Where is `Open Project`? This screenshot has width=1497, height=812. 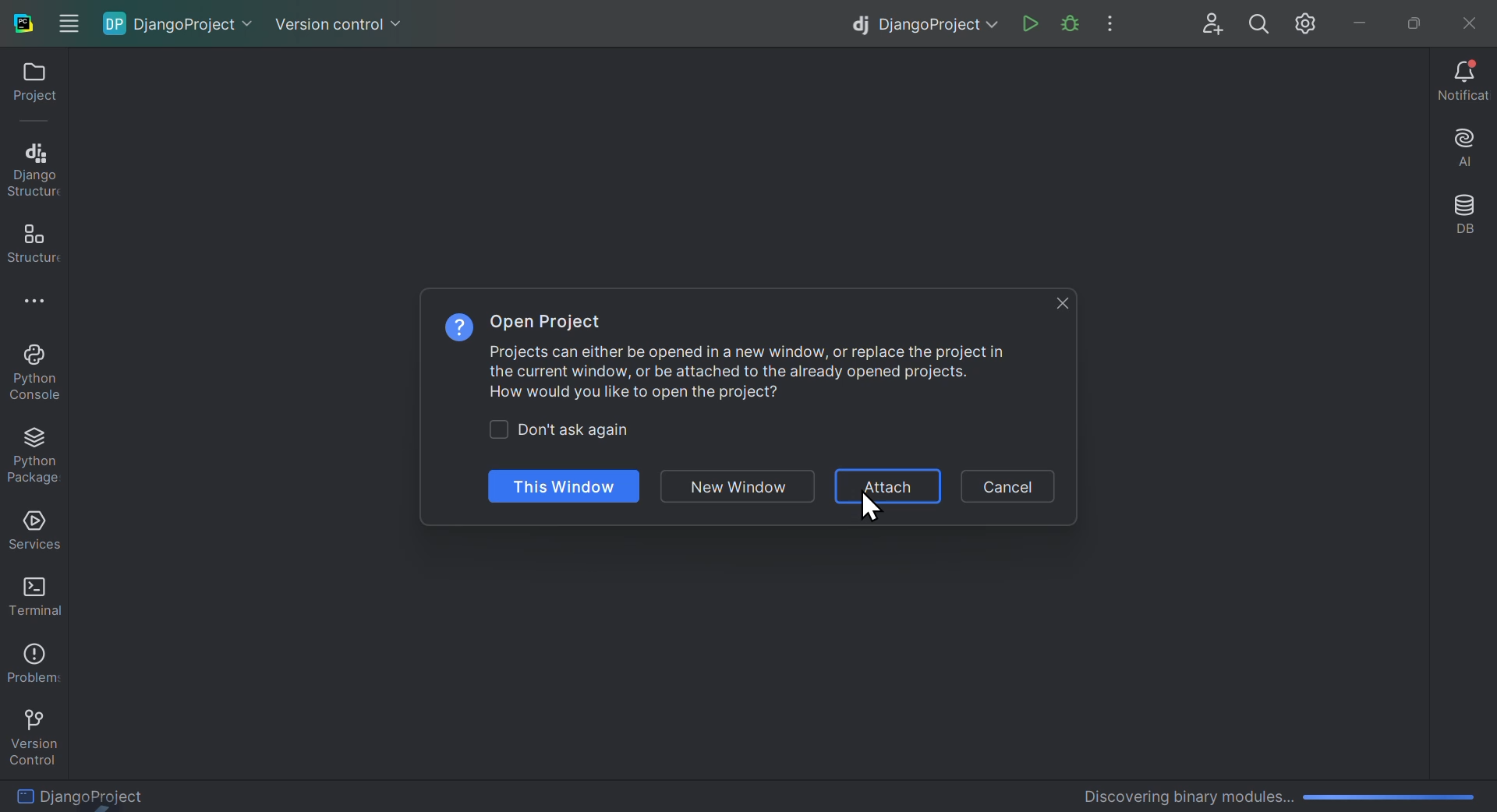
Open Project is located at coordinates (549, 323).